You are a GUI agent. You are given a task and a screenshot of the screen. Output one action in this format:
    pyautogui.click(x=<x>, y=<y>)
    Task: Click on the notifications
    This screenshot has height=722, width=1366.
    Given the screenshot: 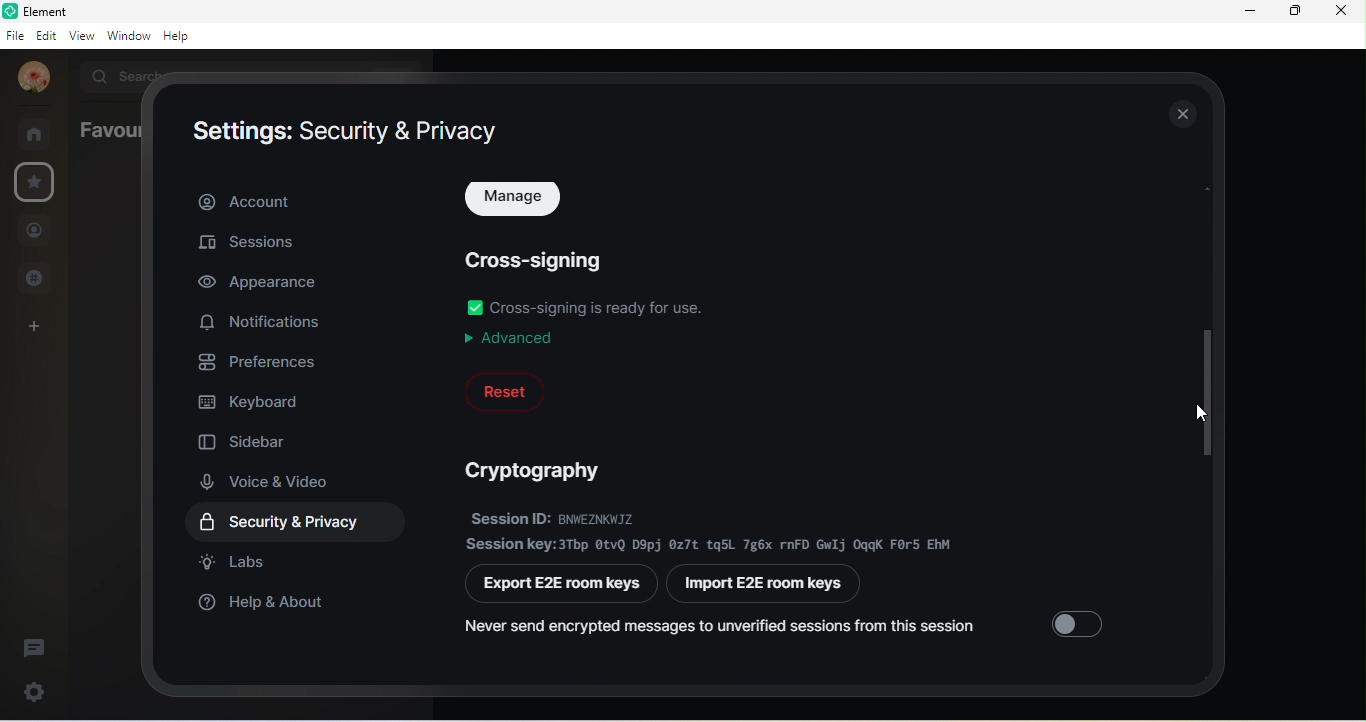 What is the action you would take?
    pyautogui.click(x=266, y=323)
    